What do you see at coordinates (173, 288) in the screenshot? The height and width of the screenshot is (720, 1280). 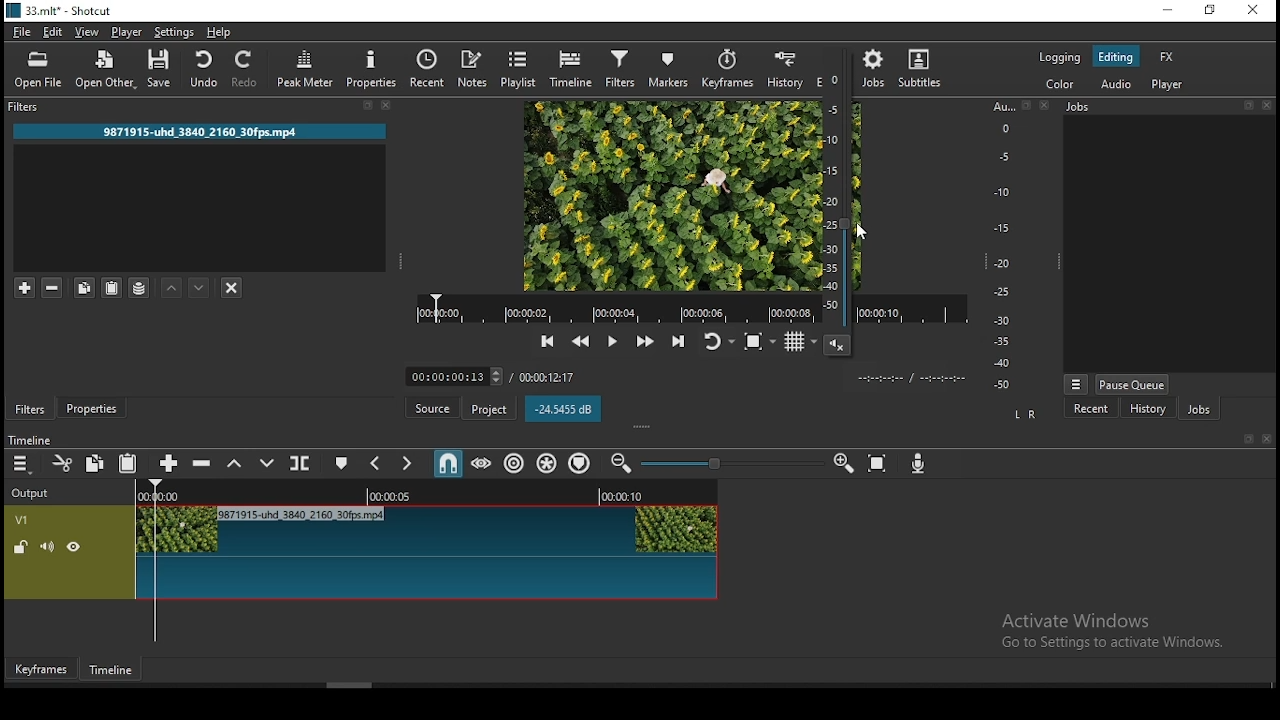 I see `move filter up` at bounding box center [173, 288].